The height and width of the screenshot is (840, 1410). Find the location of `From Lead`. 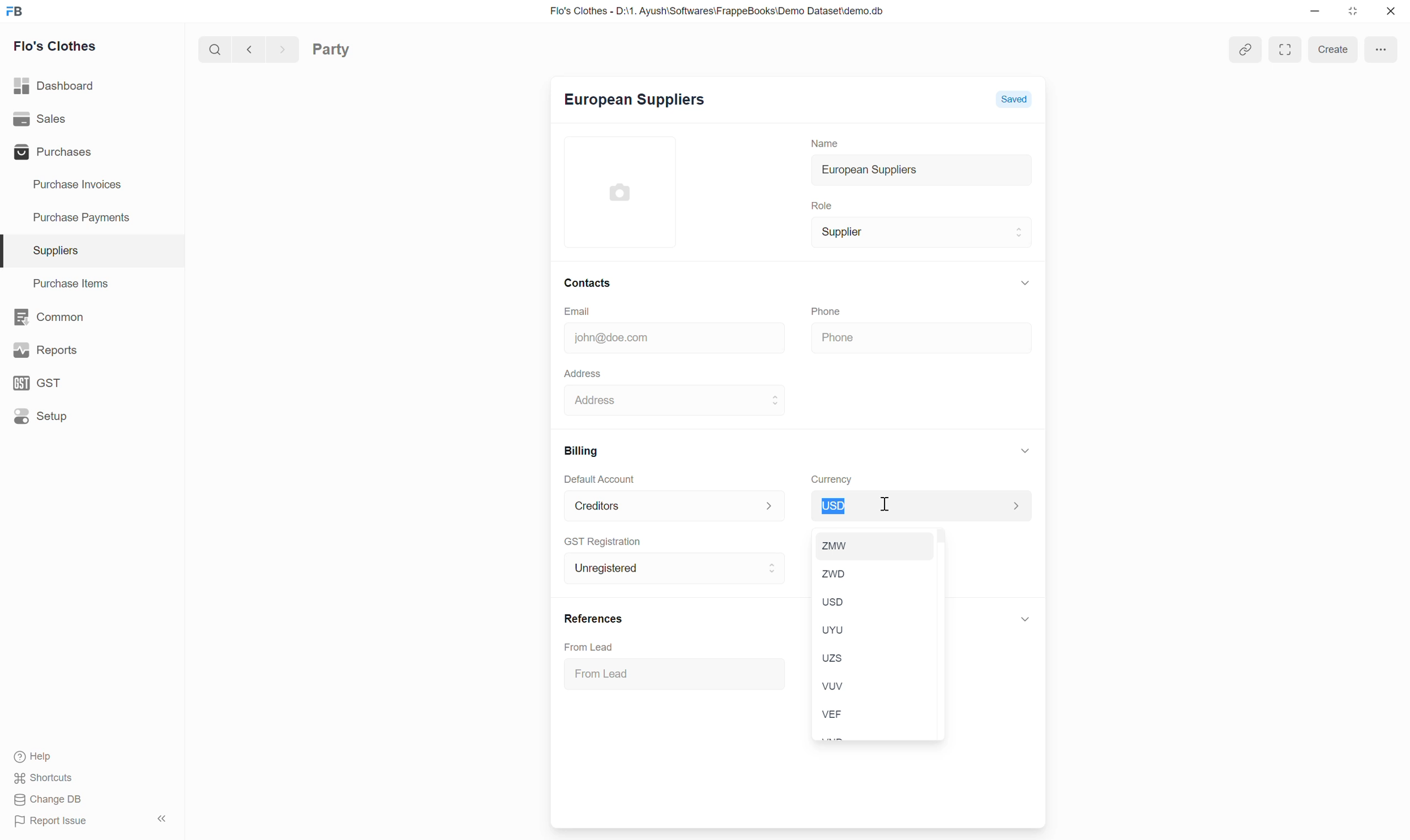

From Lead is located at coordinates (597, 646).